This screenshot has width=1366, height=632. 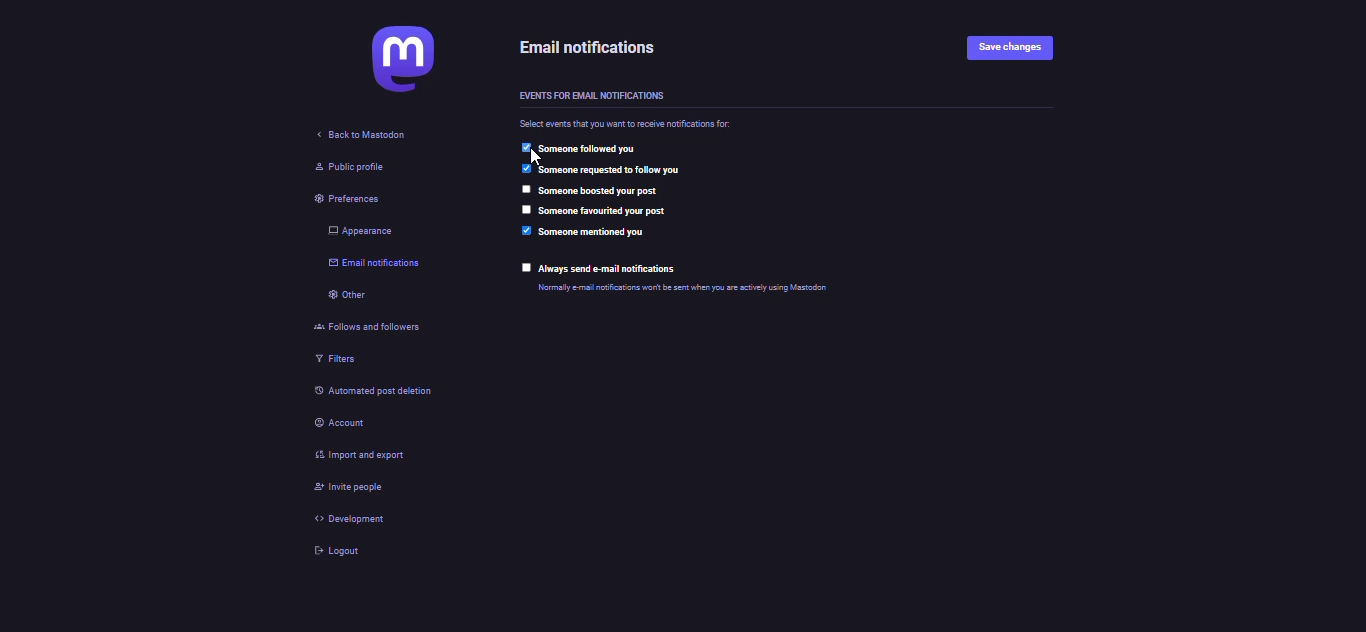 I want to click on import & export, so click(x=362, y=456).